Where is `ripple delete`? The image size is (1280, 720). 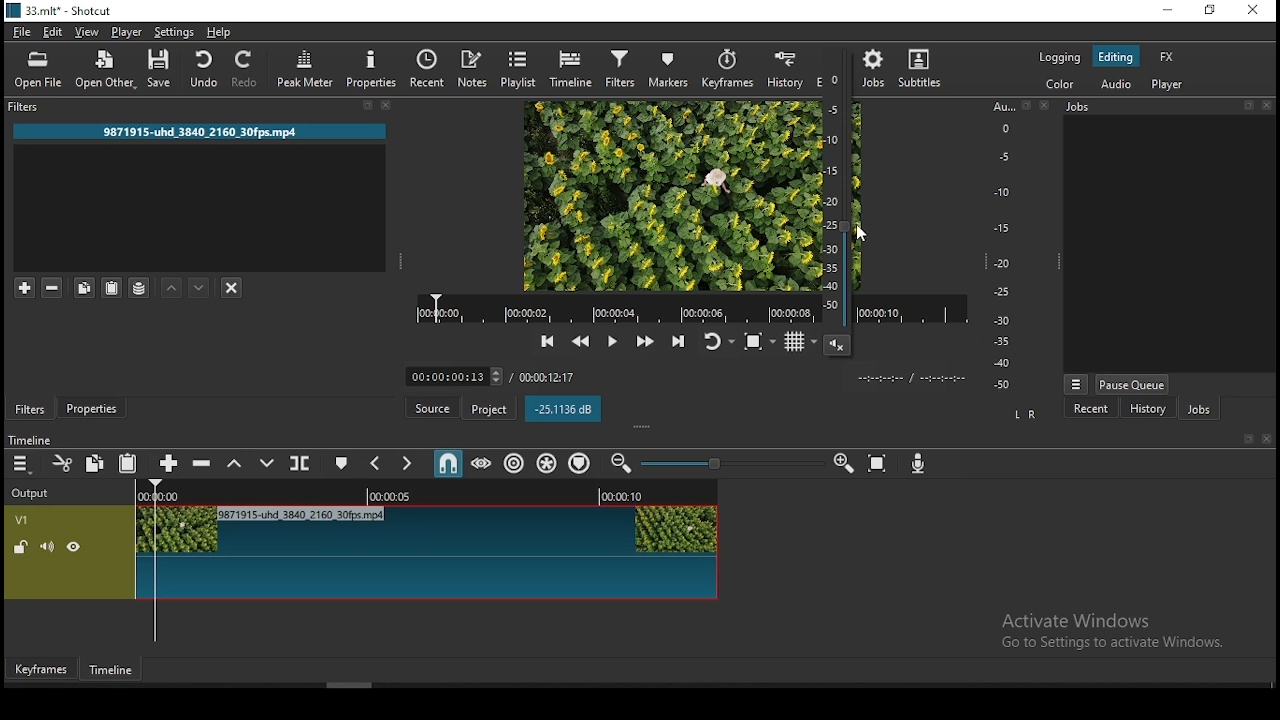
ripple delete is located at coordinates (205, 465).